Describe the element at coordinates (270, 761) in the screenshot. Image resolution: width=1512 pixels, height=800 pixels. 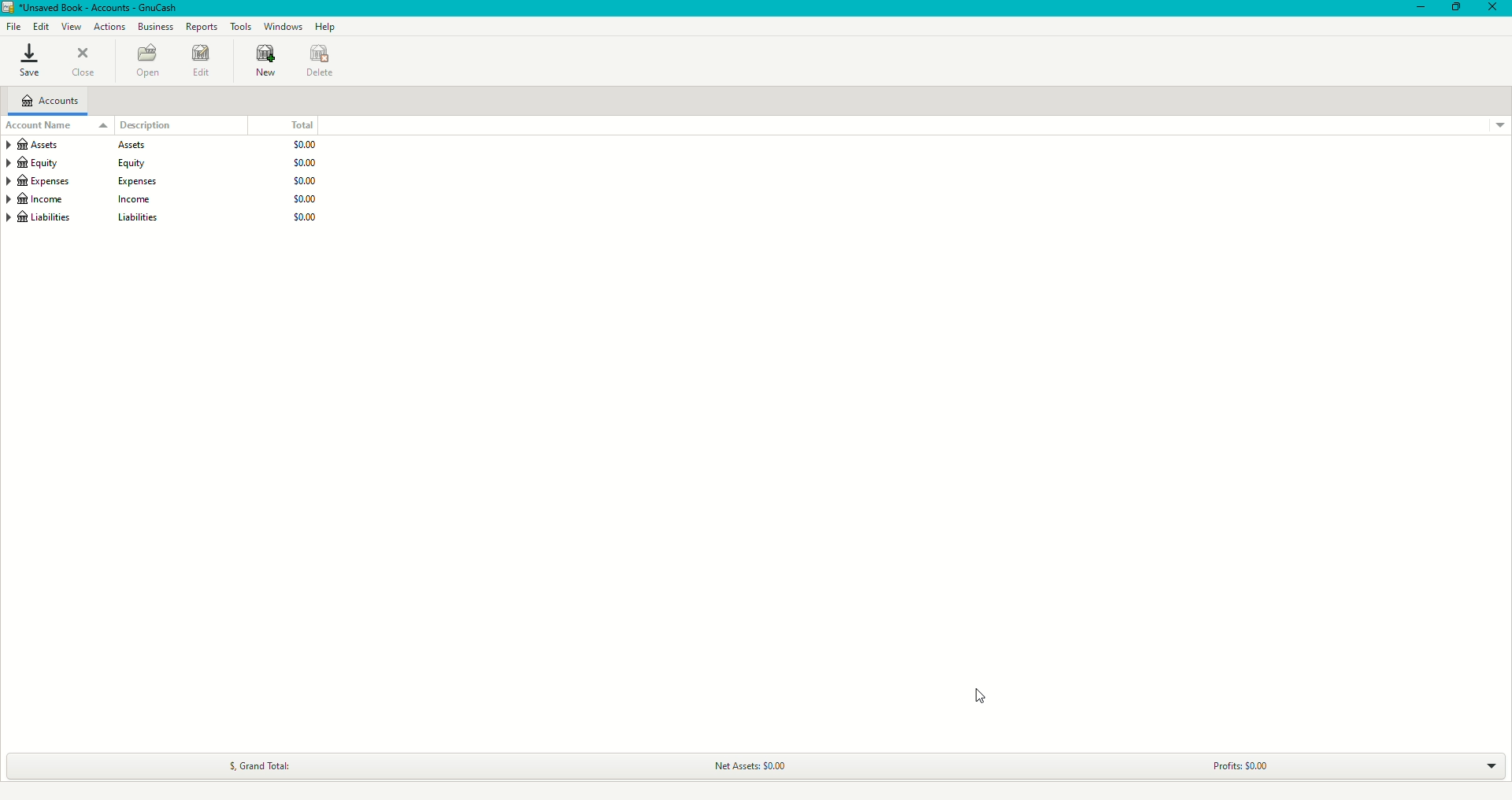
I see `Grant Total` at that location.